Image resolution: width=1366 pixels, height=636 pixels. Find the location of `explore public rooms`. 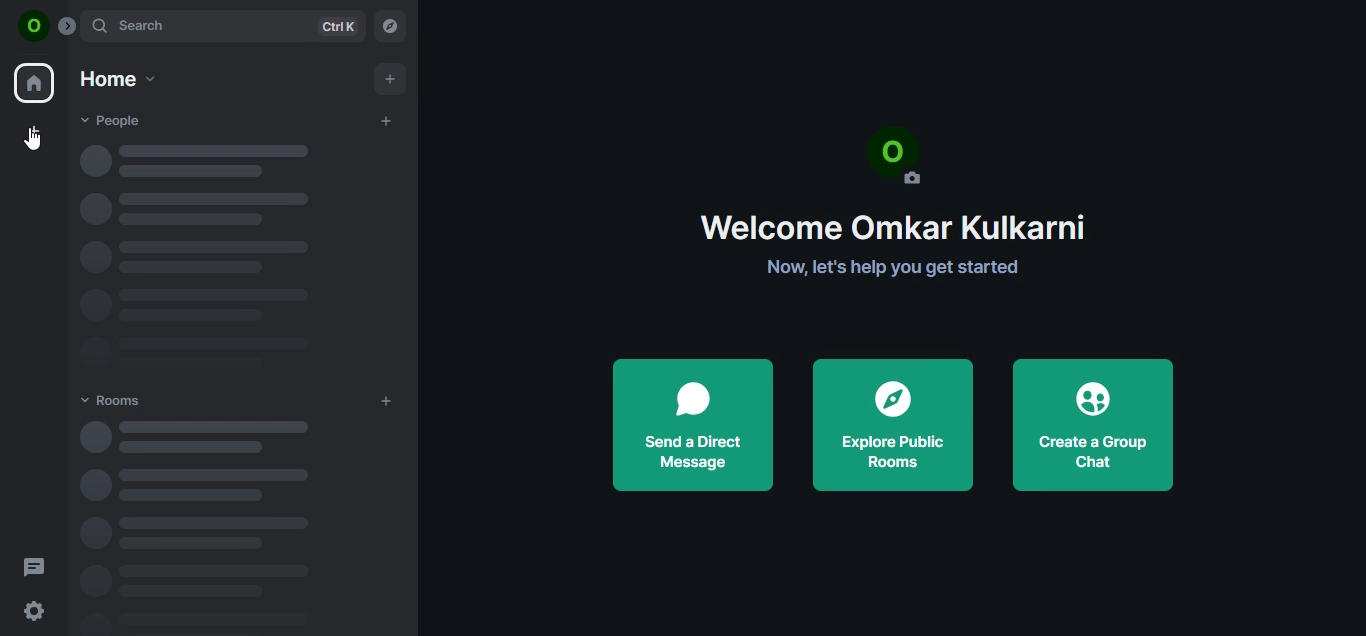

explore public rooms is located at coordinates (893, 423).